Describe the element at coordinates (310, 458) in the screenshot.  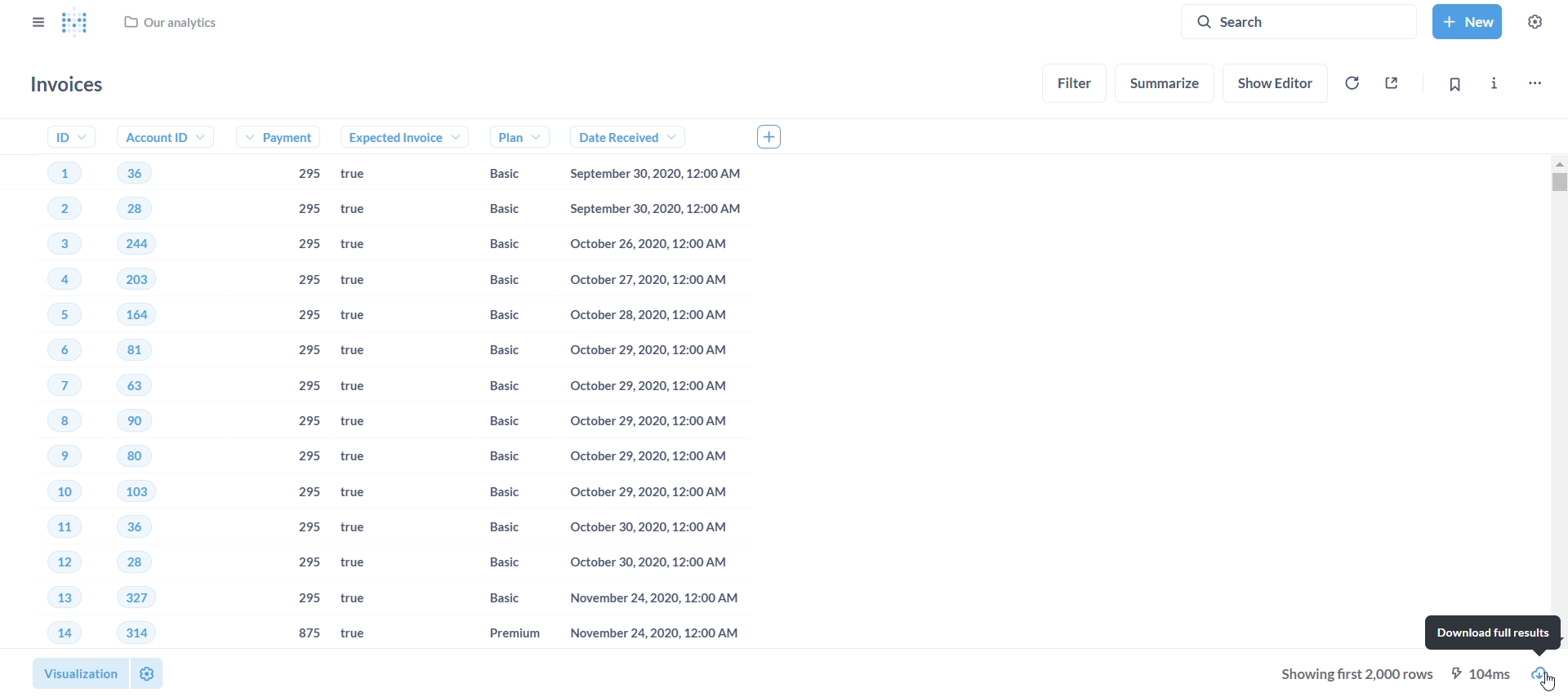
I see `295` at that location.